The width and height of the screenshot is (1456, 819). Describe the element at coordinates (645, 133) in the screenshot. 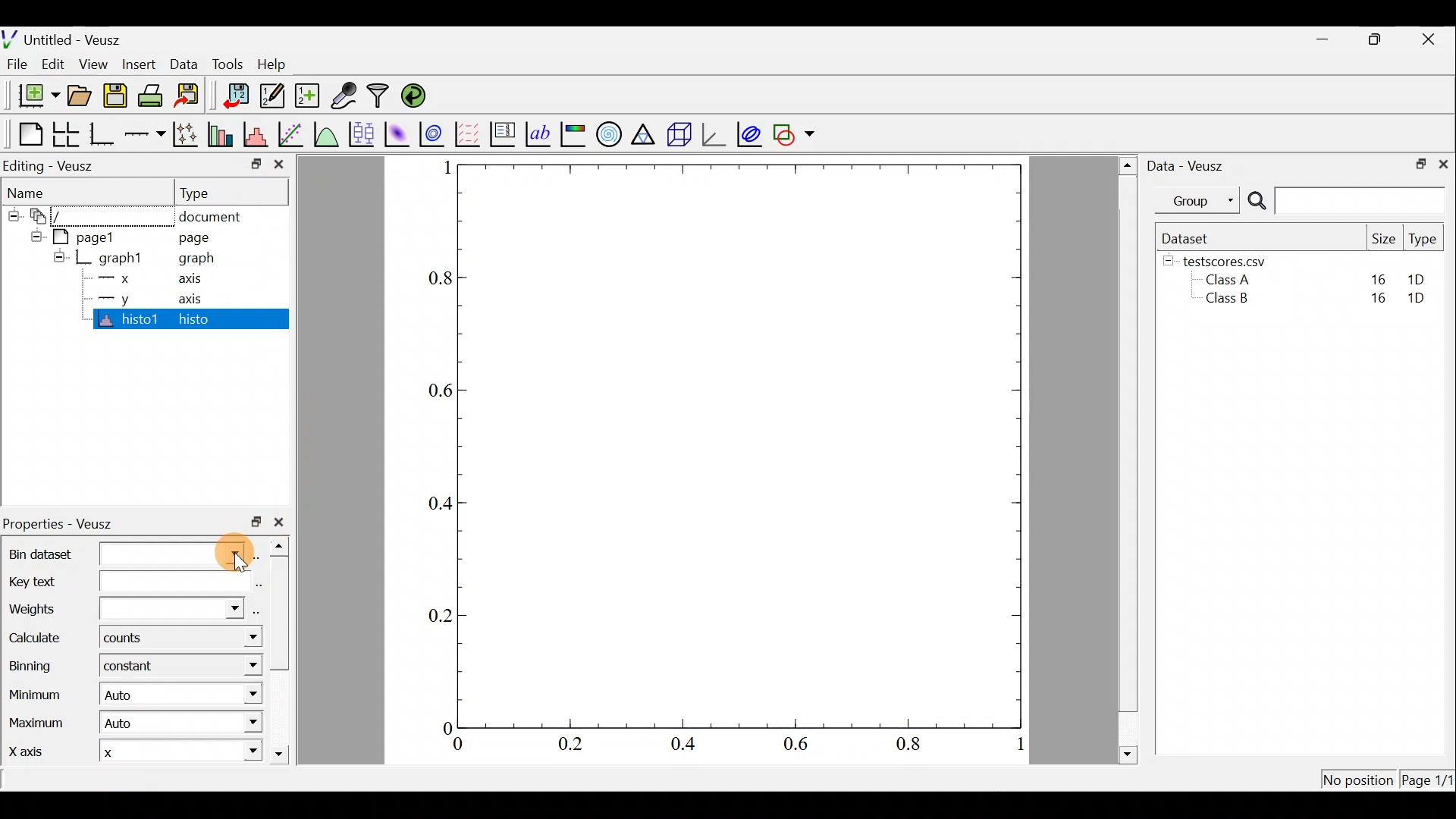

I see `Ternary graph` at that location.